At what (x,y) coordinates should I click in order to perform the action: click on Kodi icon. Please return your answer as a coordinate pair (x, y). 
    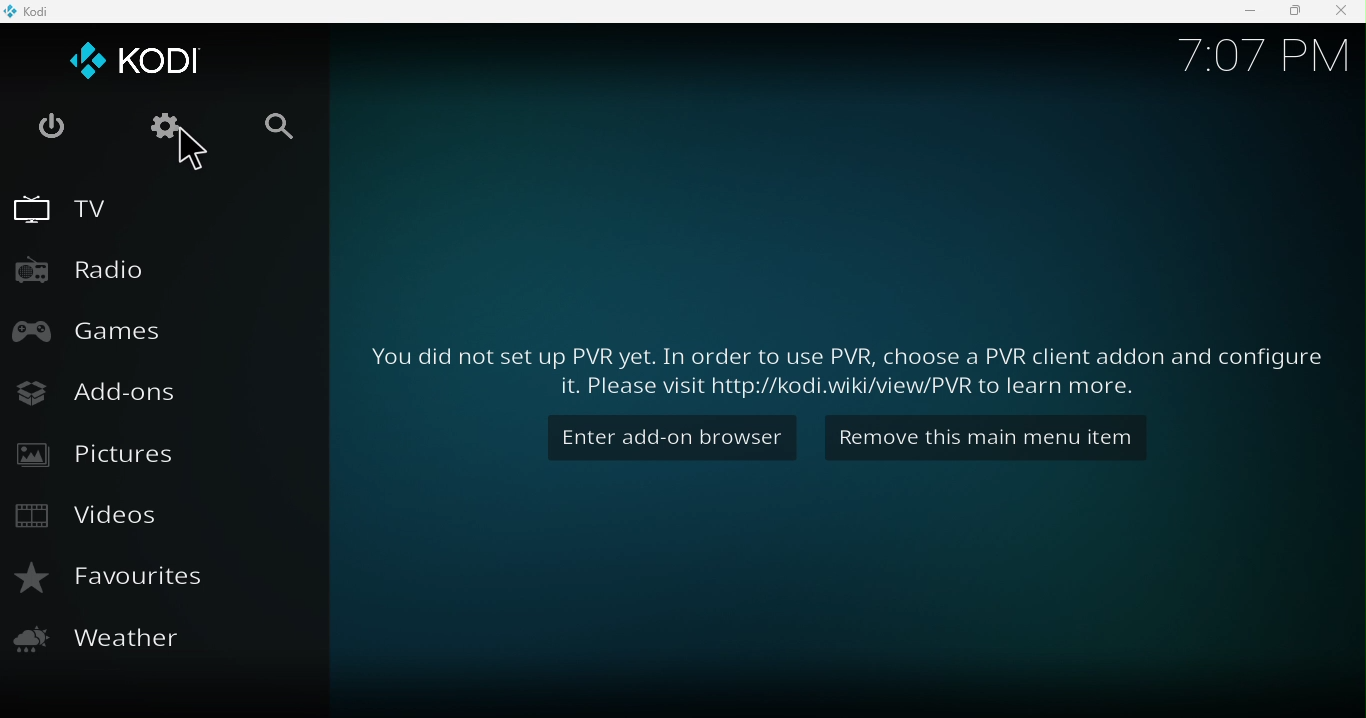
    Looking at the image, I should click on (32, 11).